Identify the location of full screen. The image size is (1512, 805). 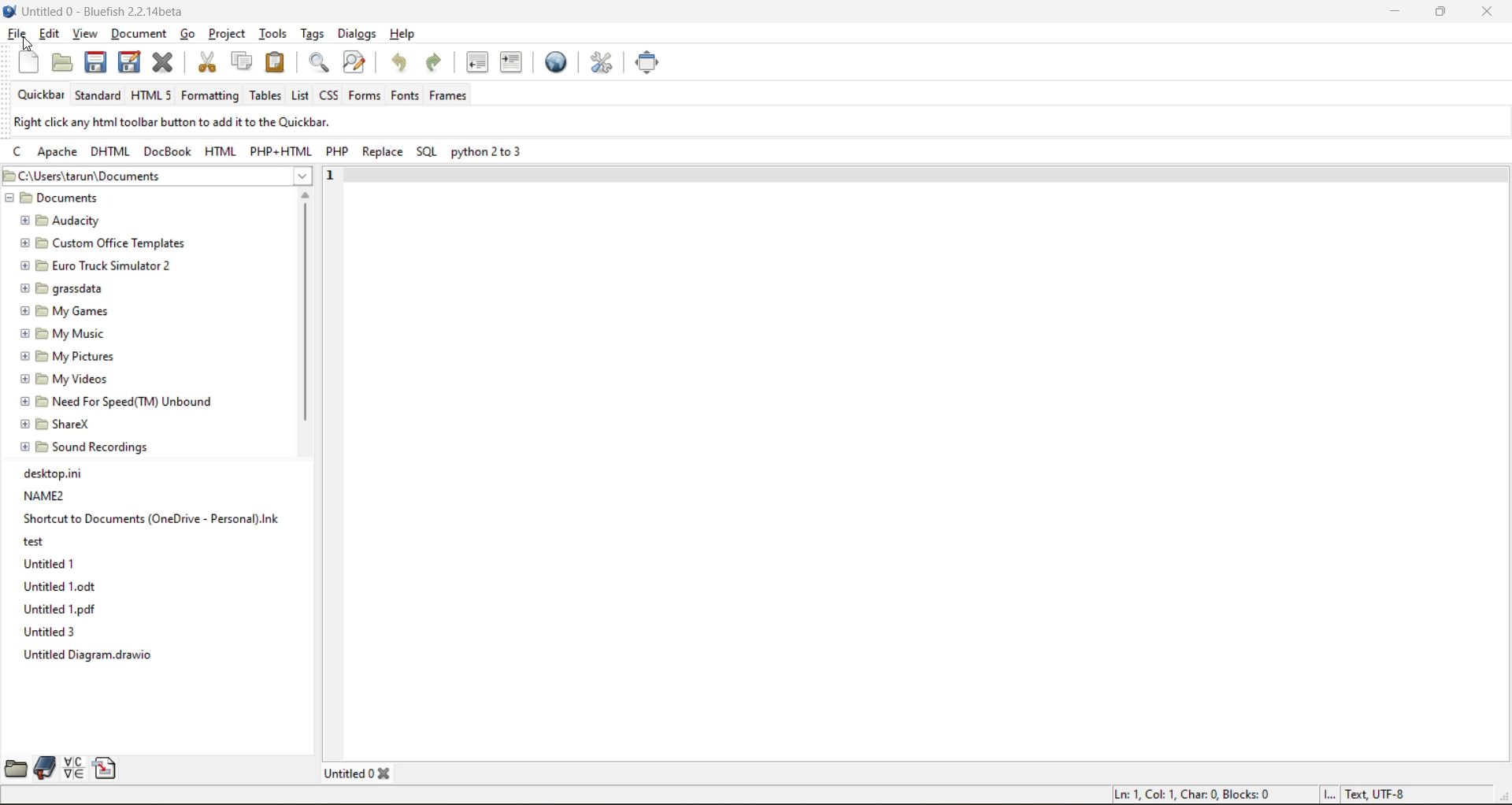
(652, 65).